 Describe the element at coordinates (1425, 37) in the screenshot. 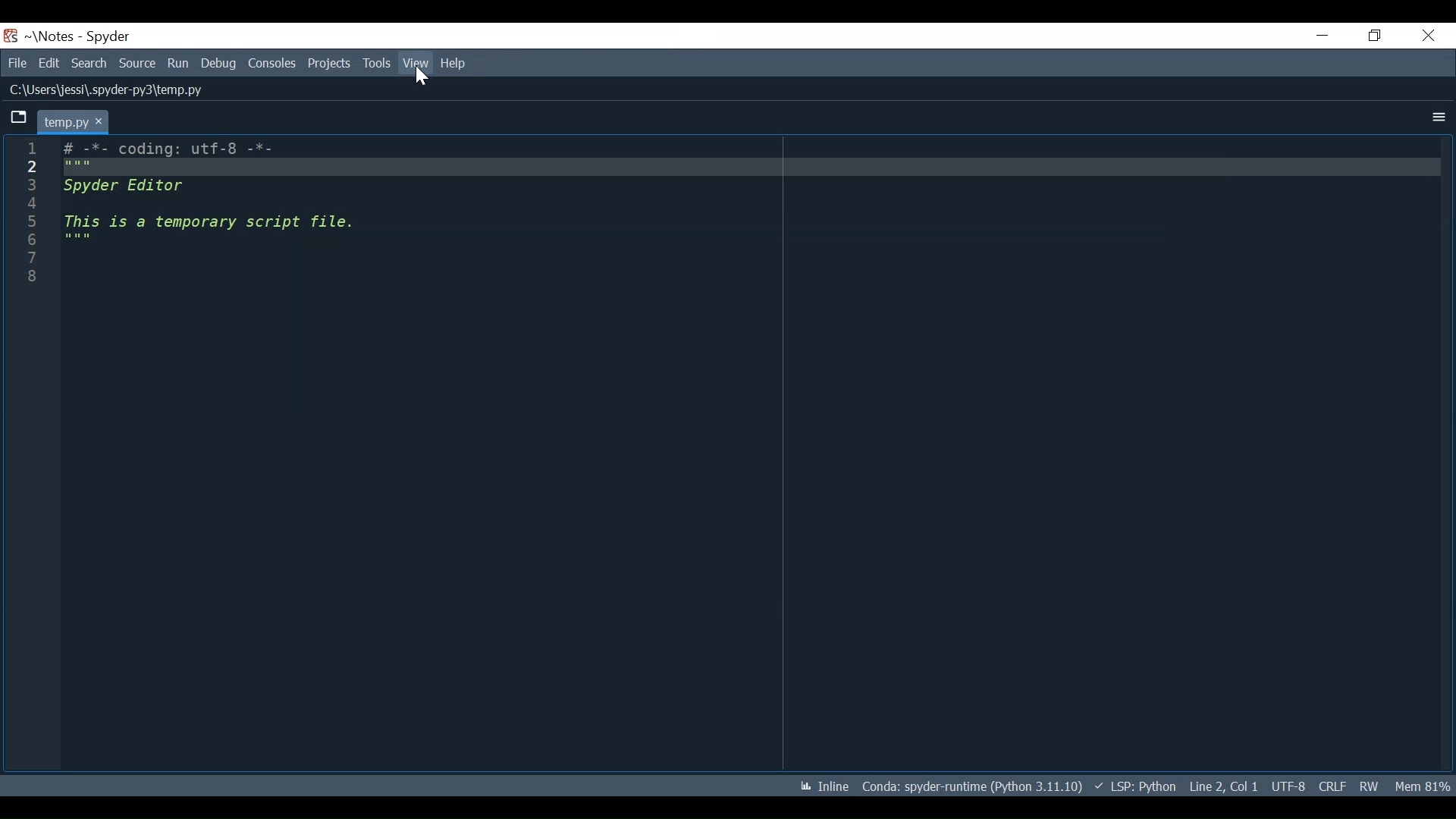

I see `Close` at that location.